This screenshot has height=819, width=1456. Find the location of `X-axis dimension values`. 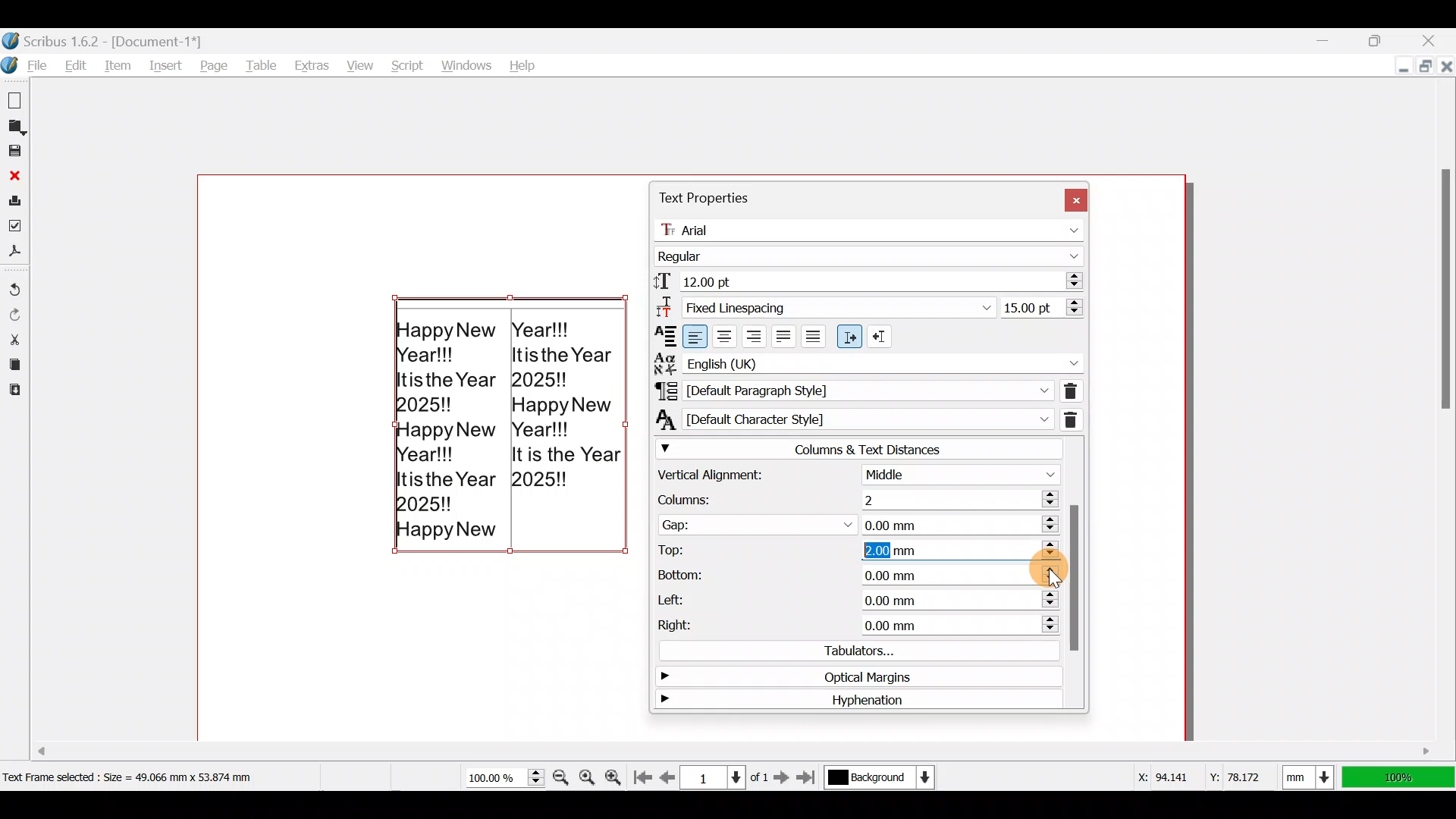

X-axis dimension values is located at coordinates (1159, 777).